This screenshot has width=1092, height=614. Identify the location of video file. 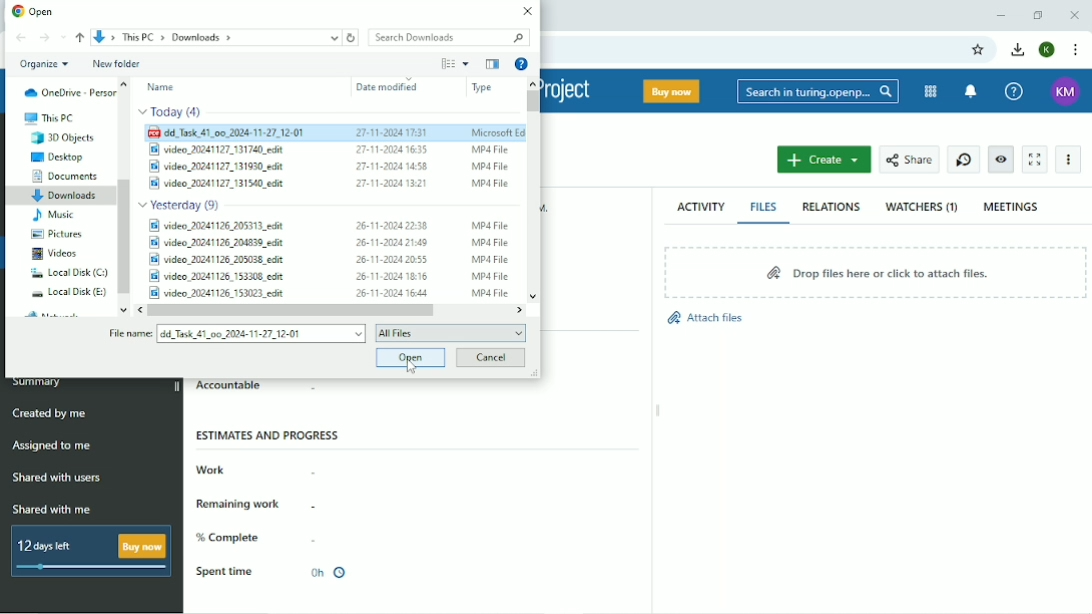
(326, 183).